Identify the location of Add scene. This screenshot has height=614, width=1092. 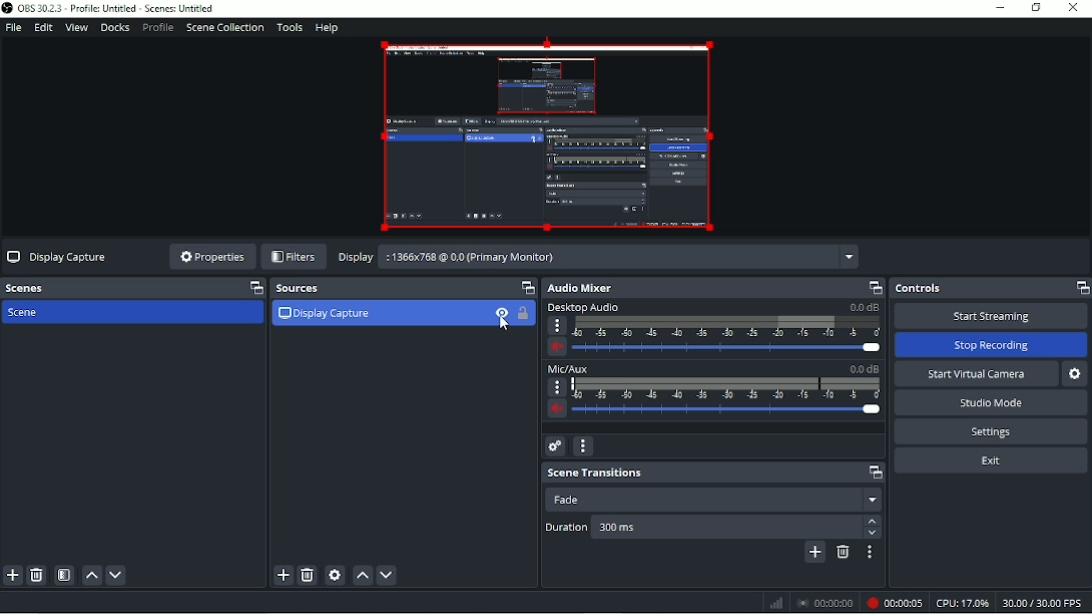
(13, 576).